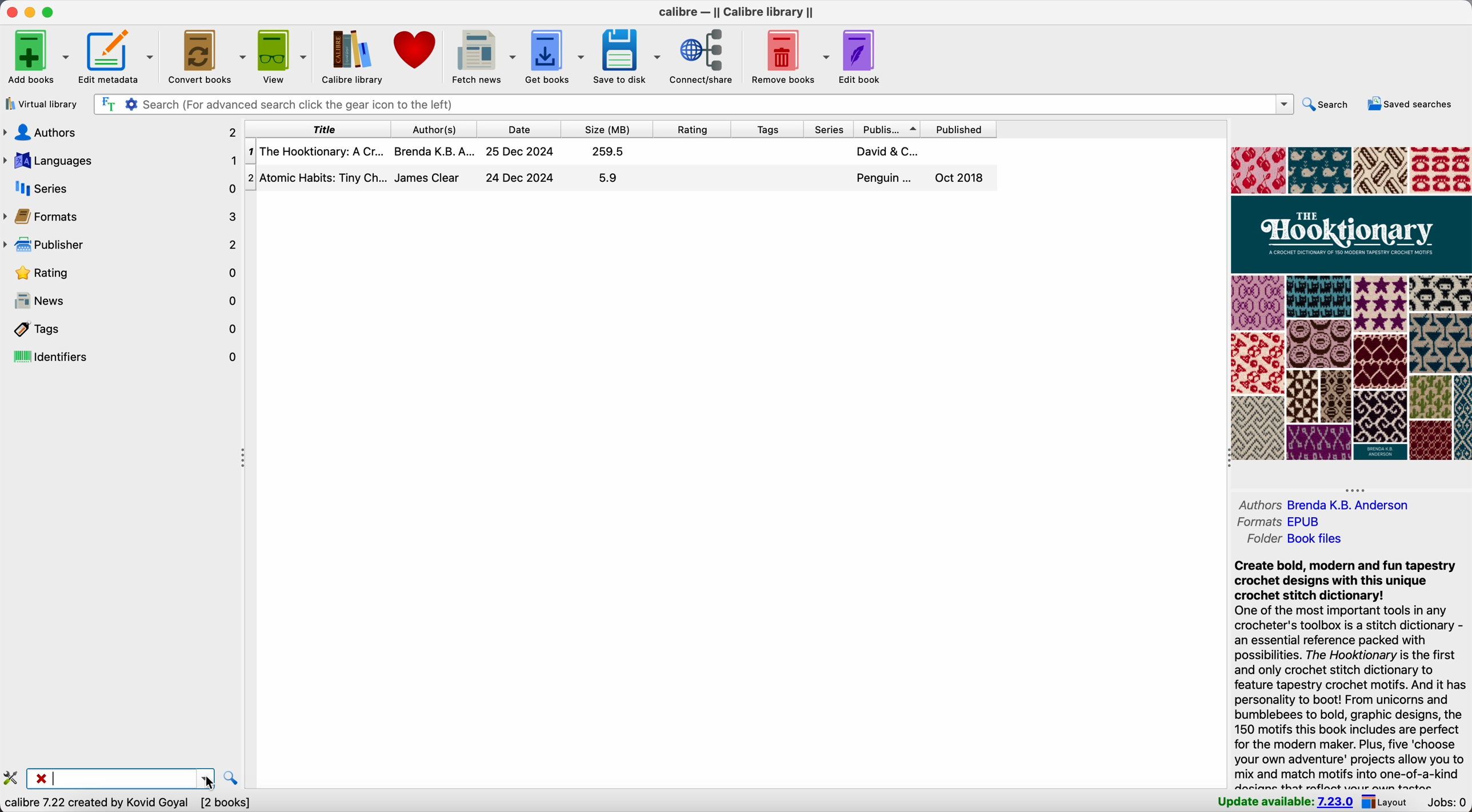 The height and width of the screenshot is (812, 1472). What do you see at coordinates (283, 54) in the screenshot?
I see `view` at bounding box center [283, 54].